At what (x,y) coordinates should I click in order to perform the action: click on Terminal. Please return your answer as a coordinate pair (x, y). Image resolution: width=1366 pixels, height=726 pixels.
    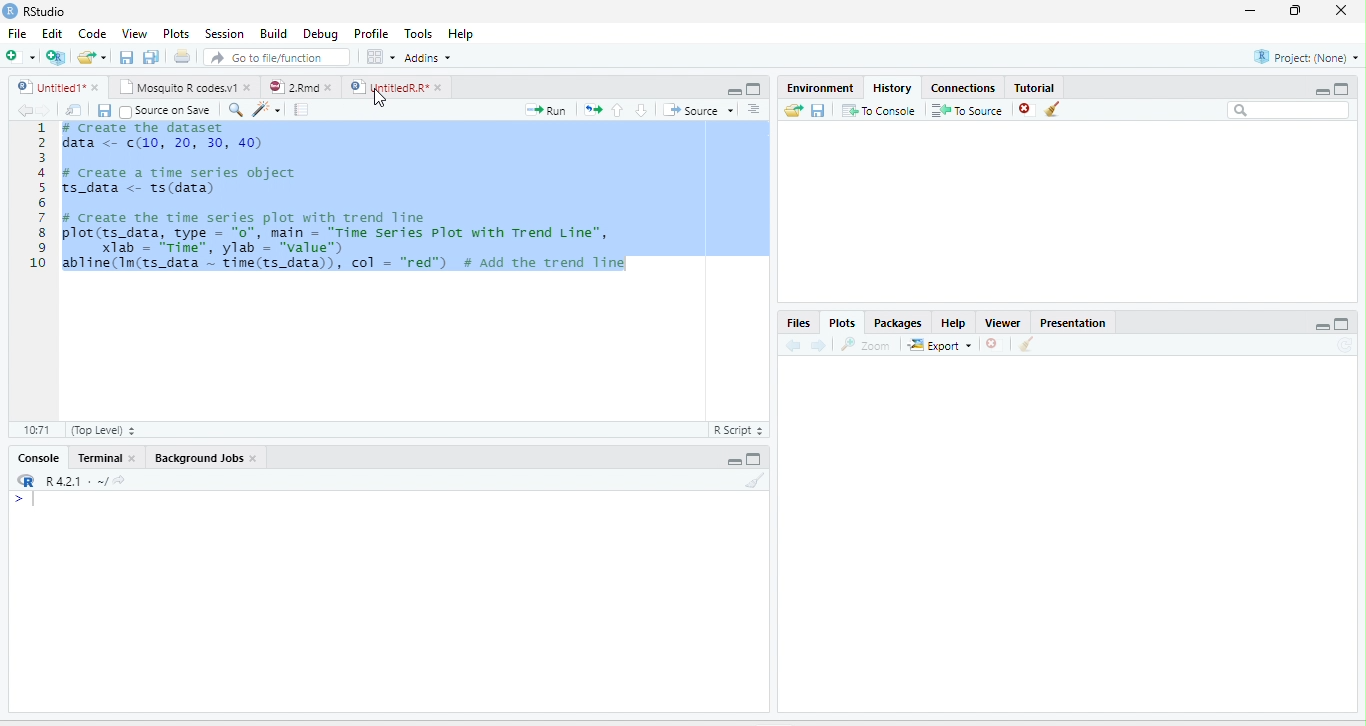
    Looking at the image, I should click on (97, 458).